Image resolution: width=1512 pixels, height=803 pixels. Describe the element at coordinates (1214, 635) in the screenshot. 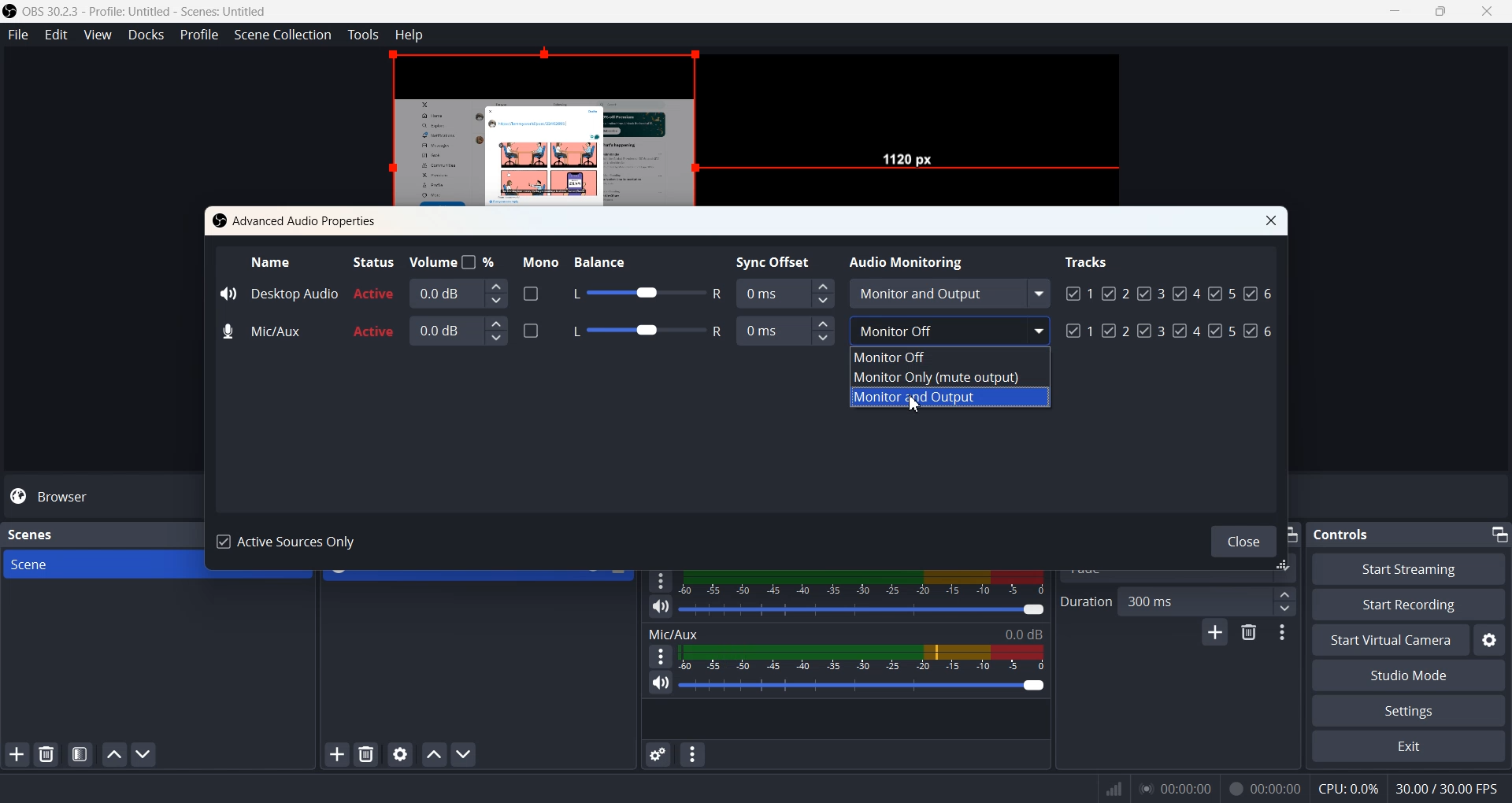

I see `Add configurable transistion` at that location.